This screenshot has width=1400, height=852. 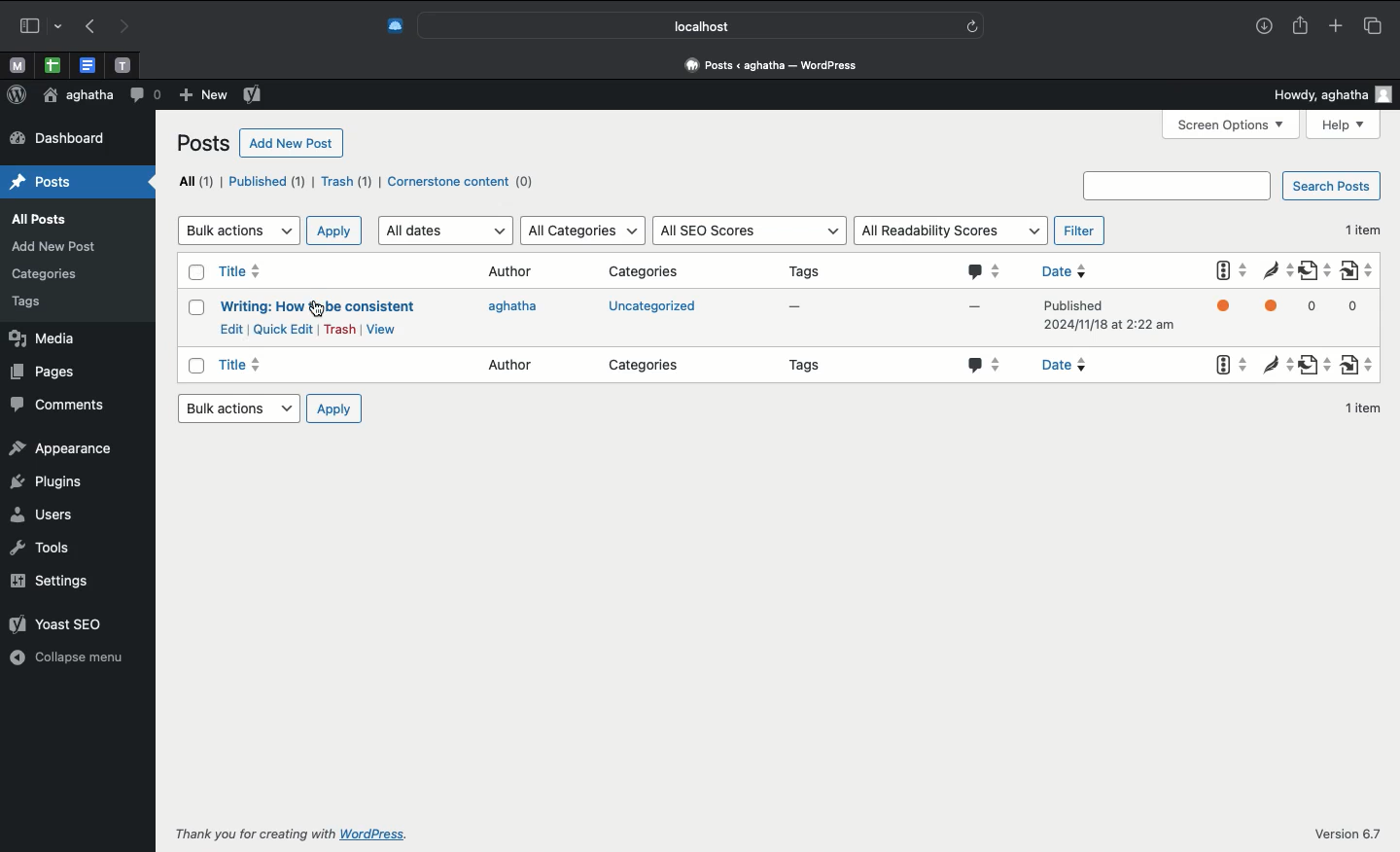 What do you see at coordinates (1264, 27) in the screenshot?
I see `Downloads` at bounding box center [1264, 27].